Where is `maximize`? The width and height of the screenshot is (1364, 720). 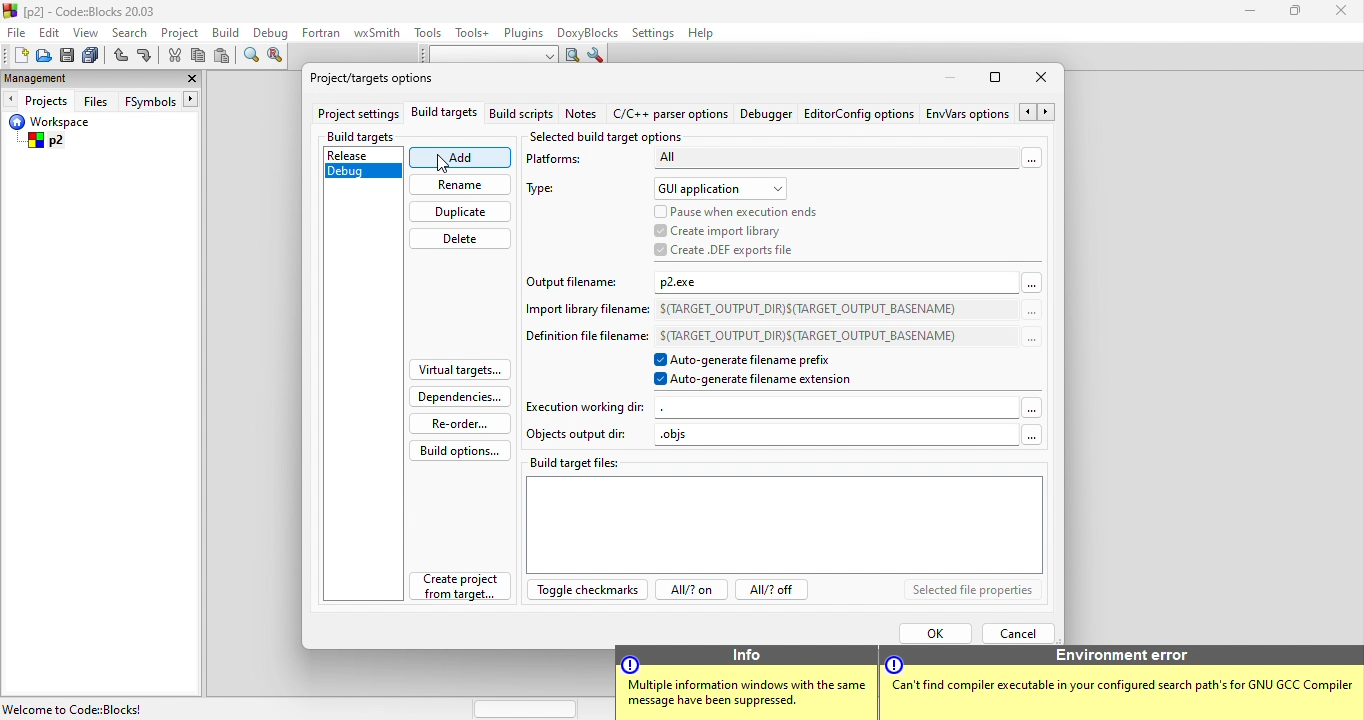 maximize is located at coordinates (995, 77).